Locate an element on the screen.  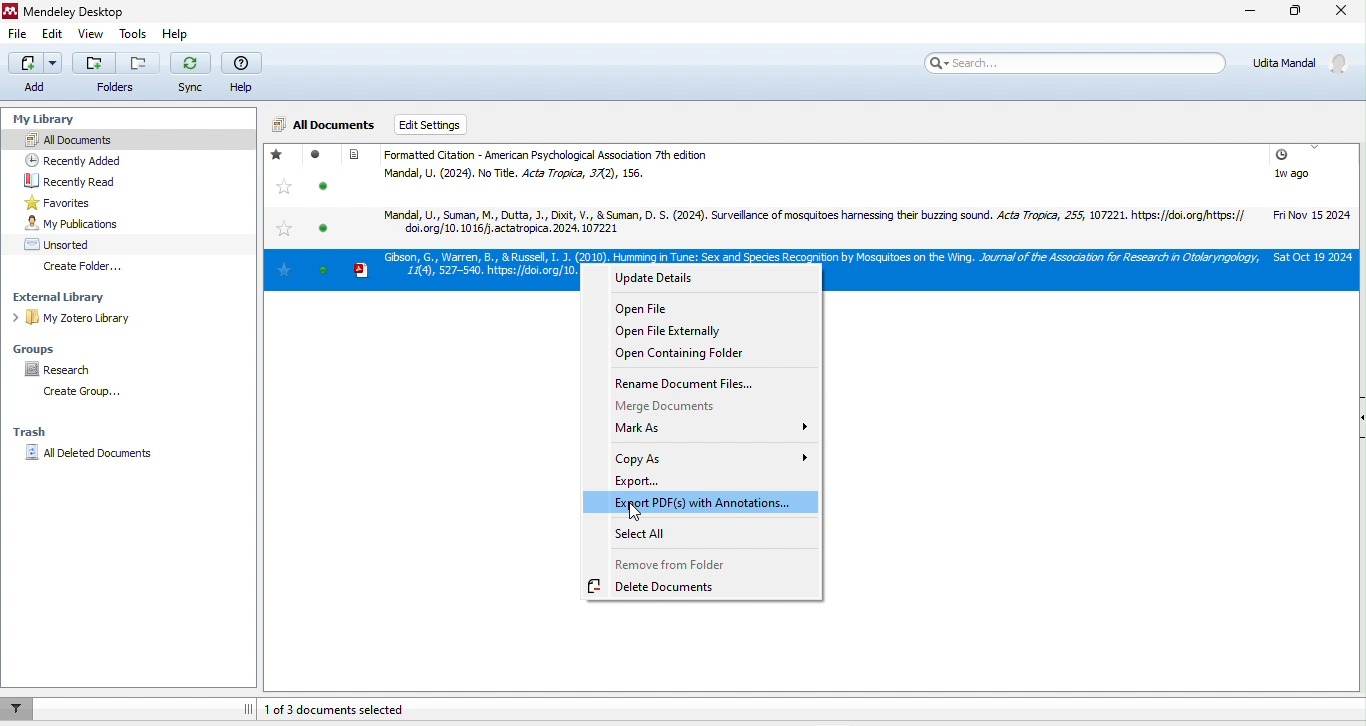
copy as is located at coordinates (711, 457).